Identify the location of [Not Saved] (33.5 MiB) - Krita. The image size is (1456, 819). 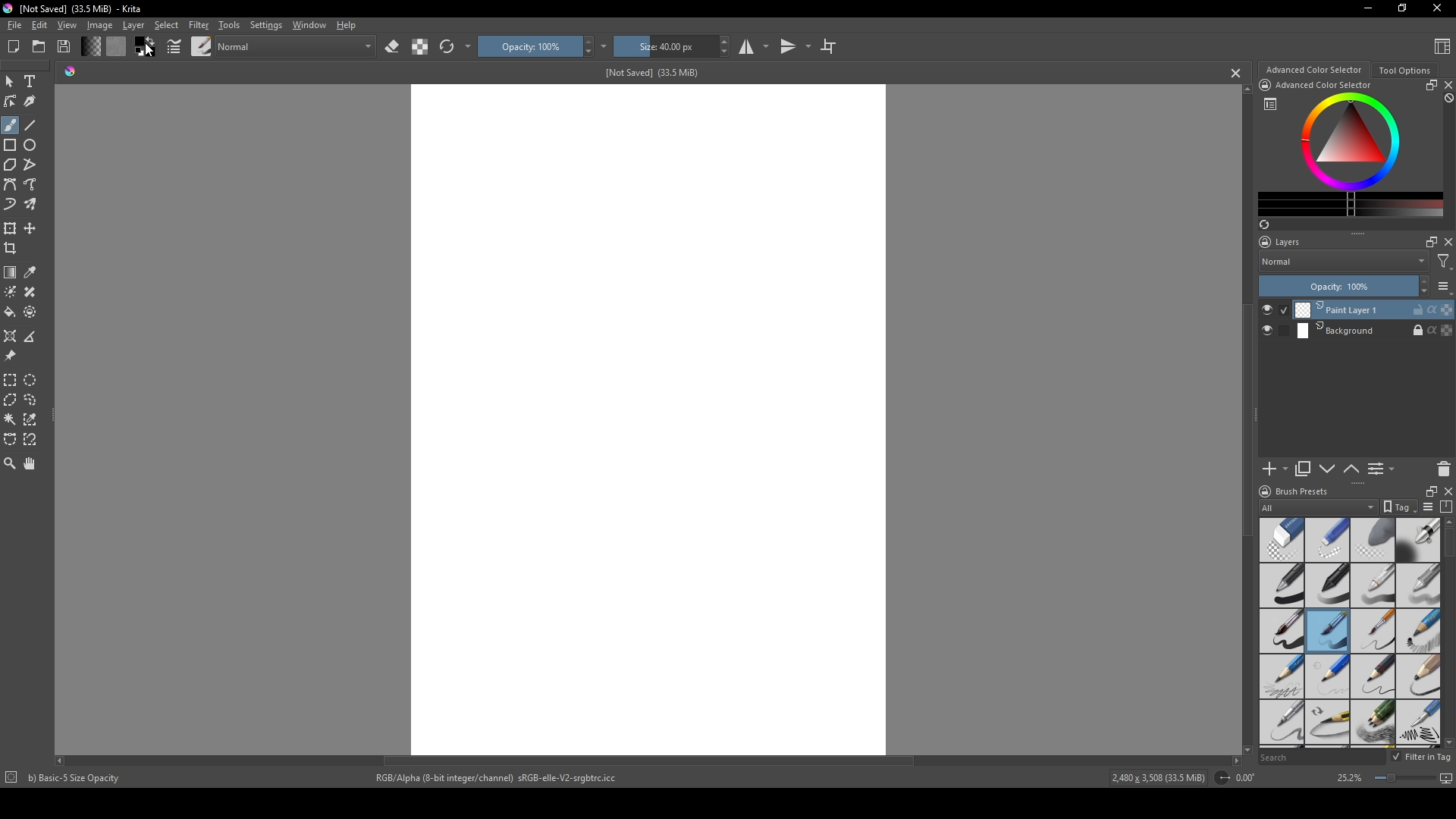
(83, 9).